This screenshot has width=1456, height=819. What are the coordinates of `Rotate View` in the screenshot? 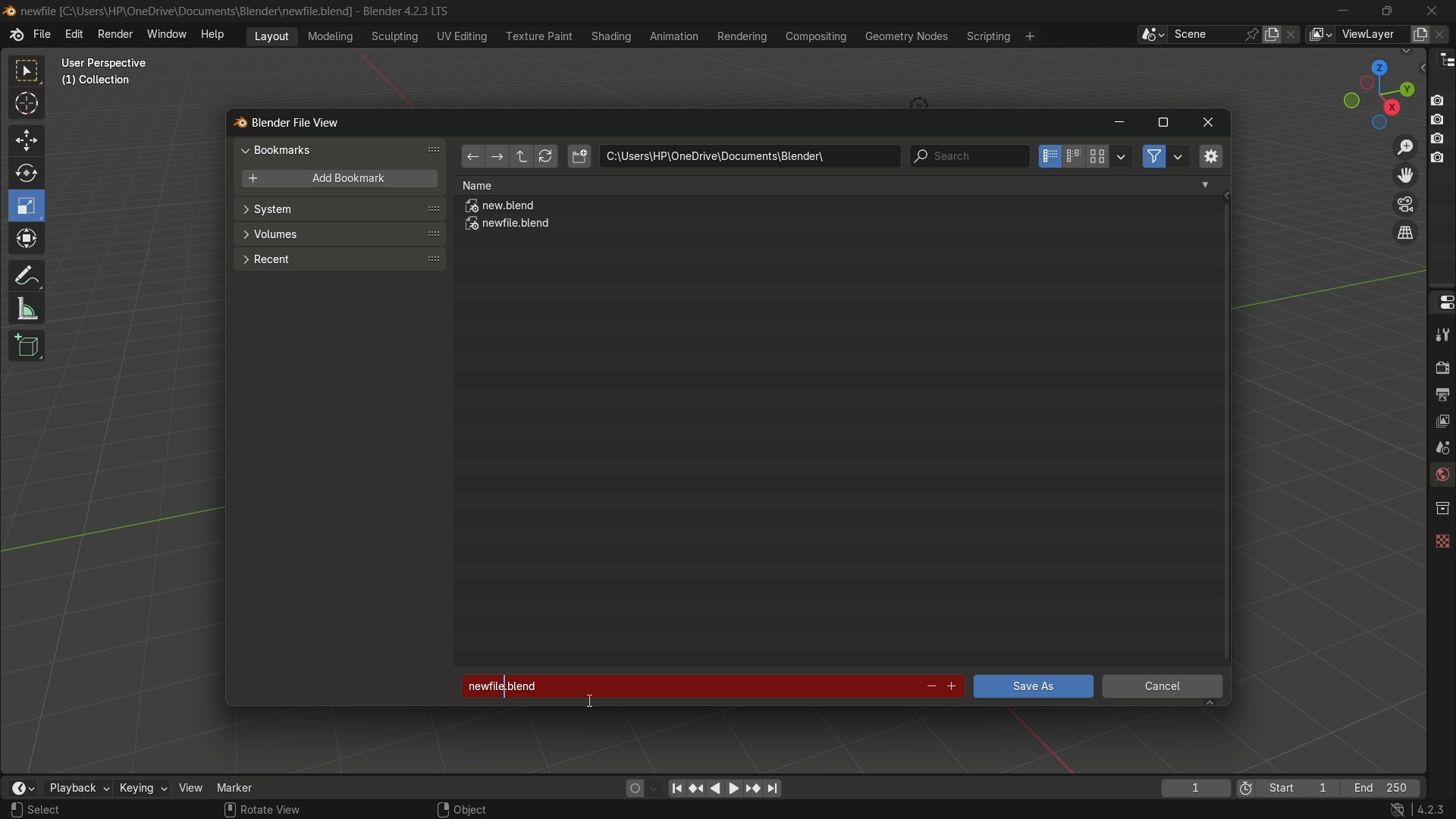 It's located at (262, 810).